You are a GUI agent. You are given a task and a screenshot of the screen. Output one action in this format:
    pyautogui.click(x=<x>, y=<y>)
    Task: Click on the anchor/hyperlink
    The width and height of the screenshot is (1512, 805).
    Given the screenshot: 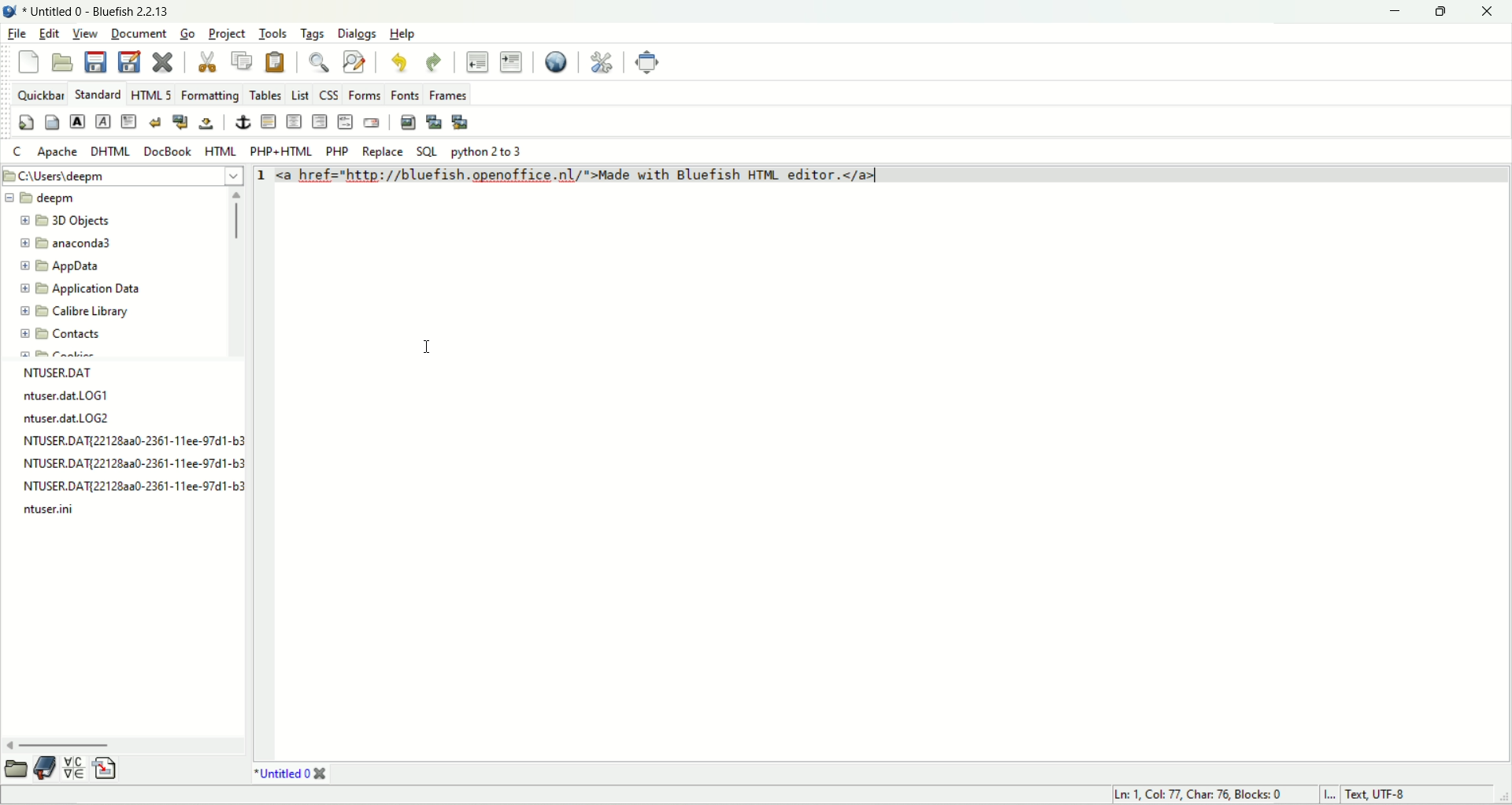 What is the action you would take?
    pyautogui.click(x=246, y=123)
    